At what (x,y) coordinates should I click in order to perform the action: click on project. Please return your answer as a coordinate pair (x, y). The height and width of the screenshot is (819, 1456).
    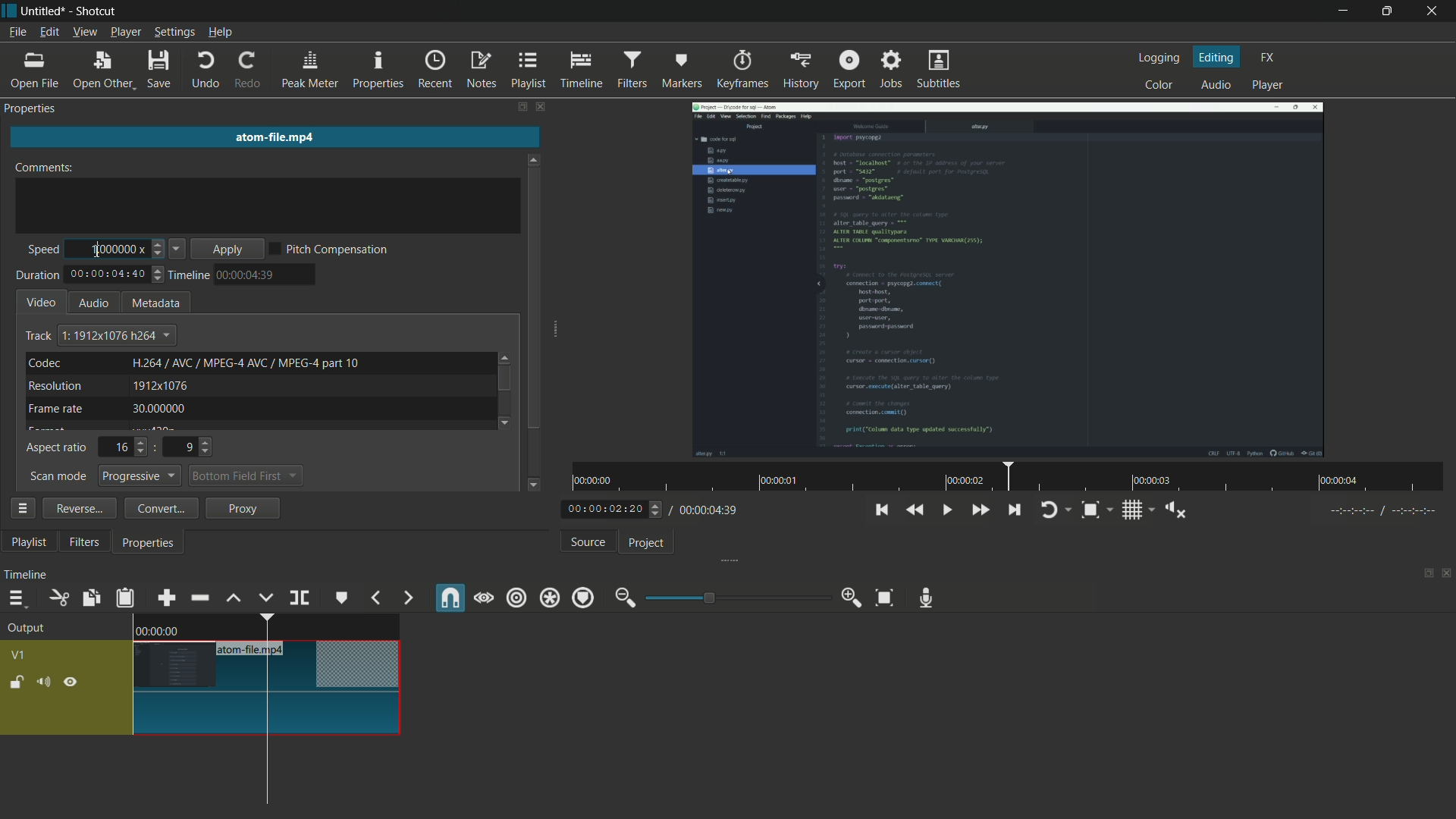
    Looking at the image, I should click on (648, 542).